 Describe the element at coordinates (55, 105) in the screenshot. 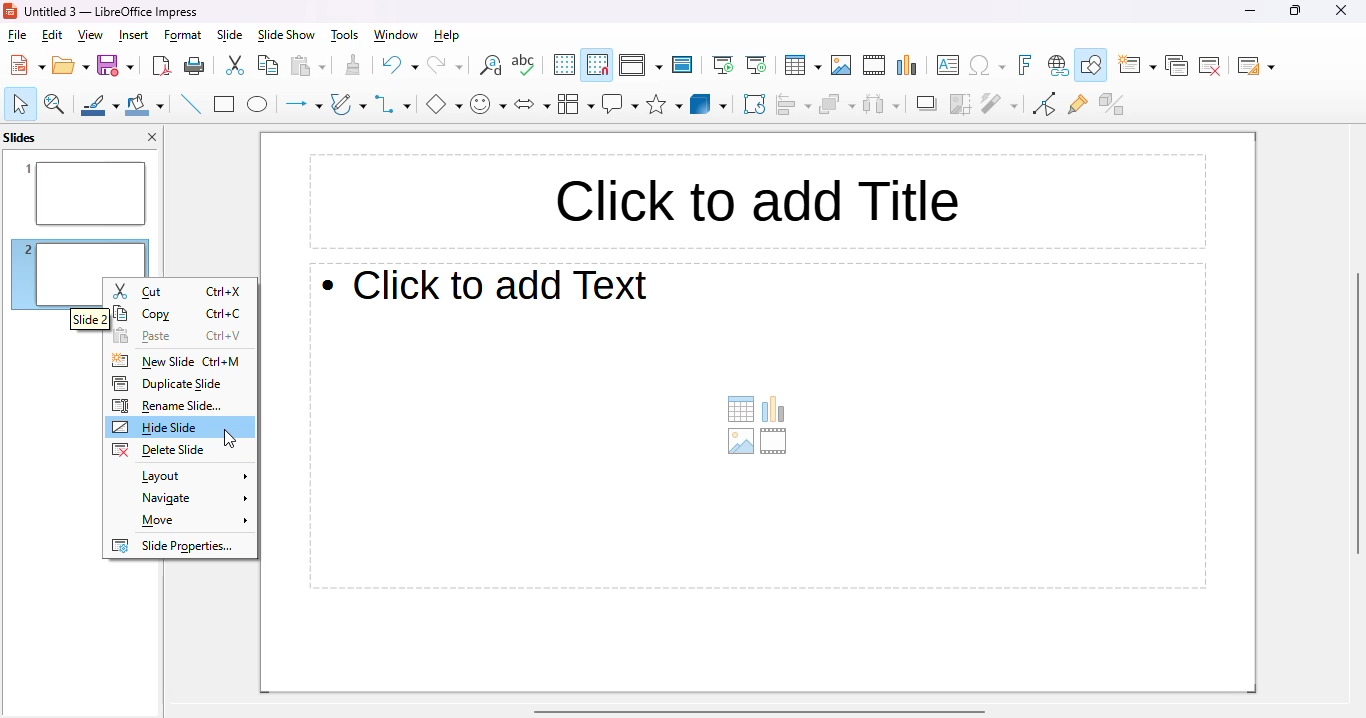

I see `zoom & pan` at that location.